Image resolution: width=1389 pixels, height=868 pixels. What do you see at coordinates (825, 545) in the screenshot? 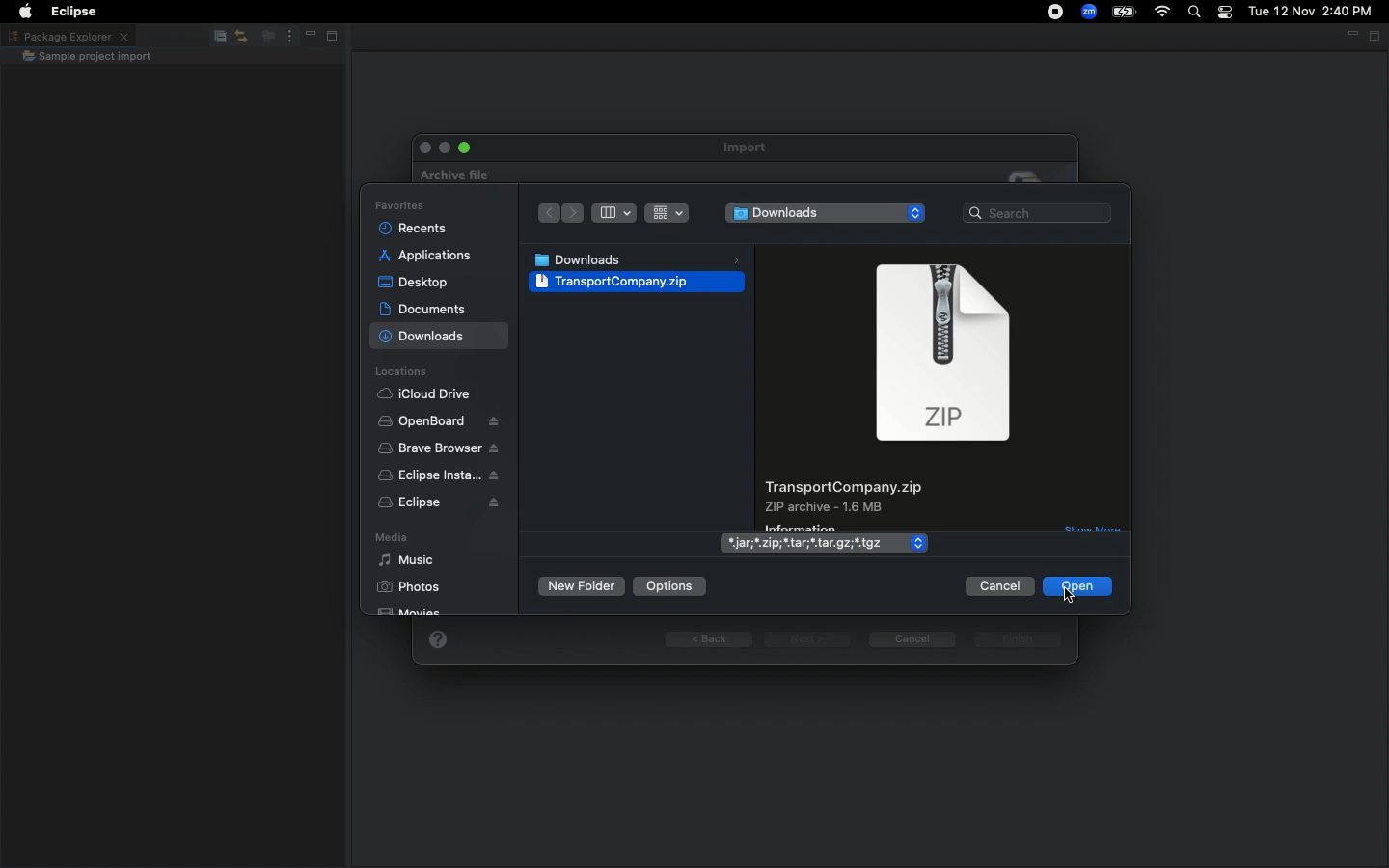
I see `“jar;zip;*tar;"targz;*tgz  O` at bounding box center [825, 545].